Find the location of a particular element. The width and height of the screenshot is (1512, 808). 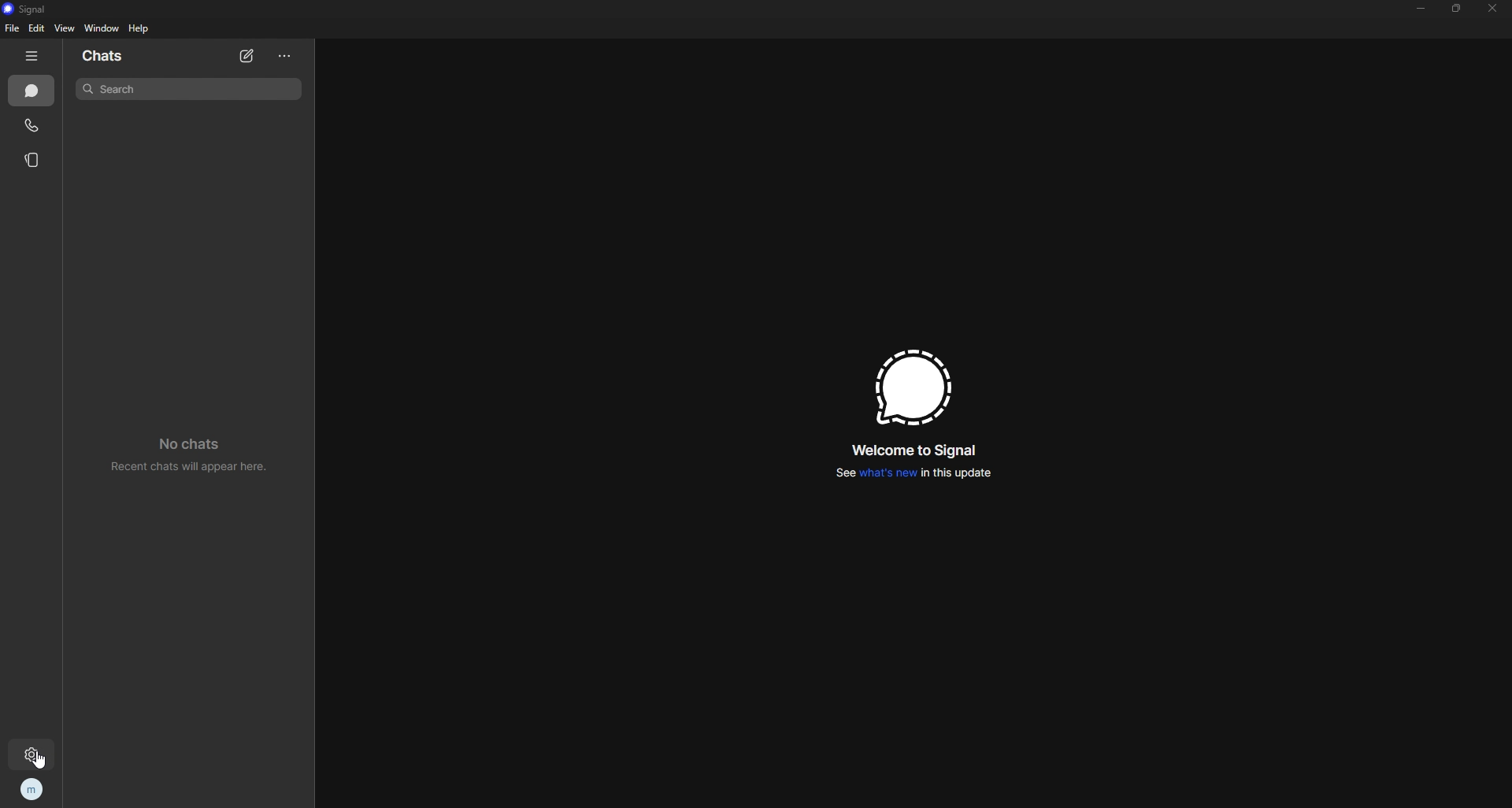

stories is located at coordinates (34, 161).